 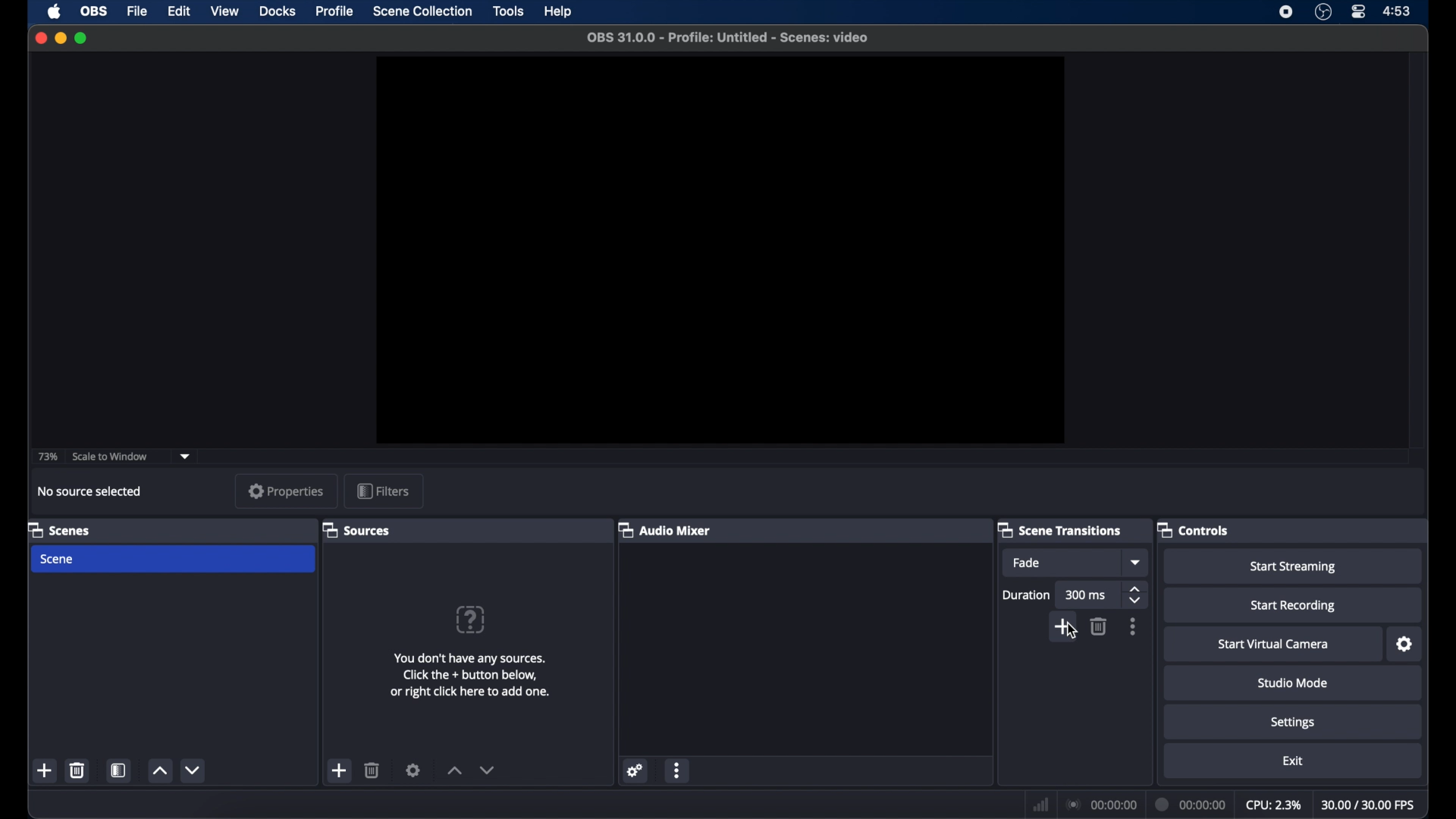 What do you see at coordinates (424, 11) in the screenshot?
I see `scene collection` at bounding box center [424, 11].